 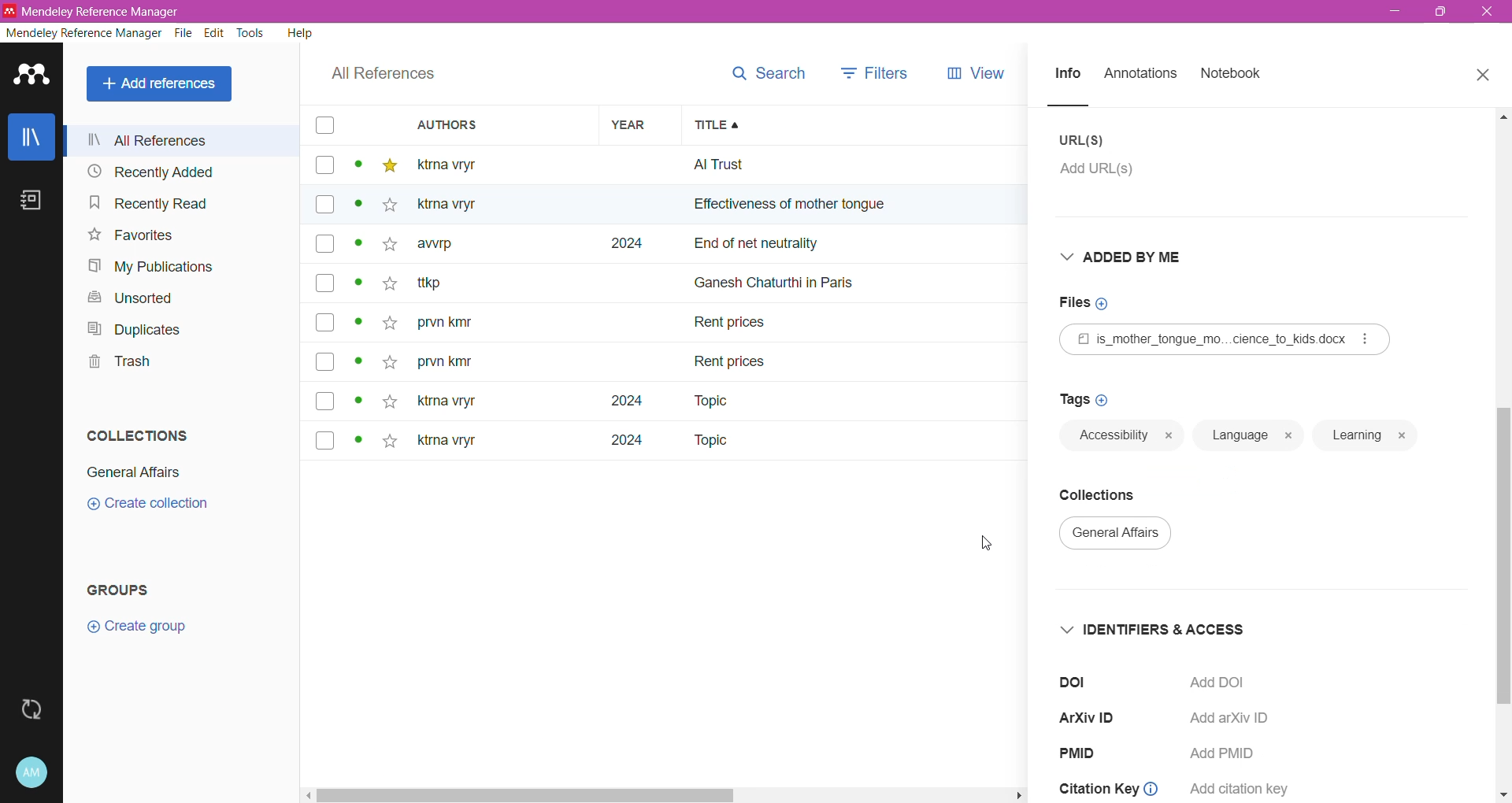 What do you see at coordinates (1288, 433) in the screenshot?
I see `close` at bounding box center [1288, 433].